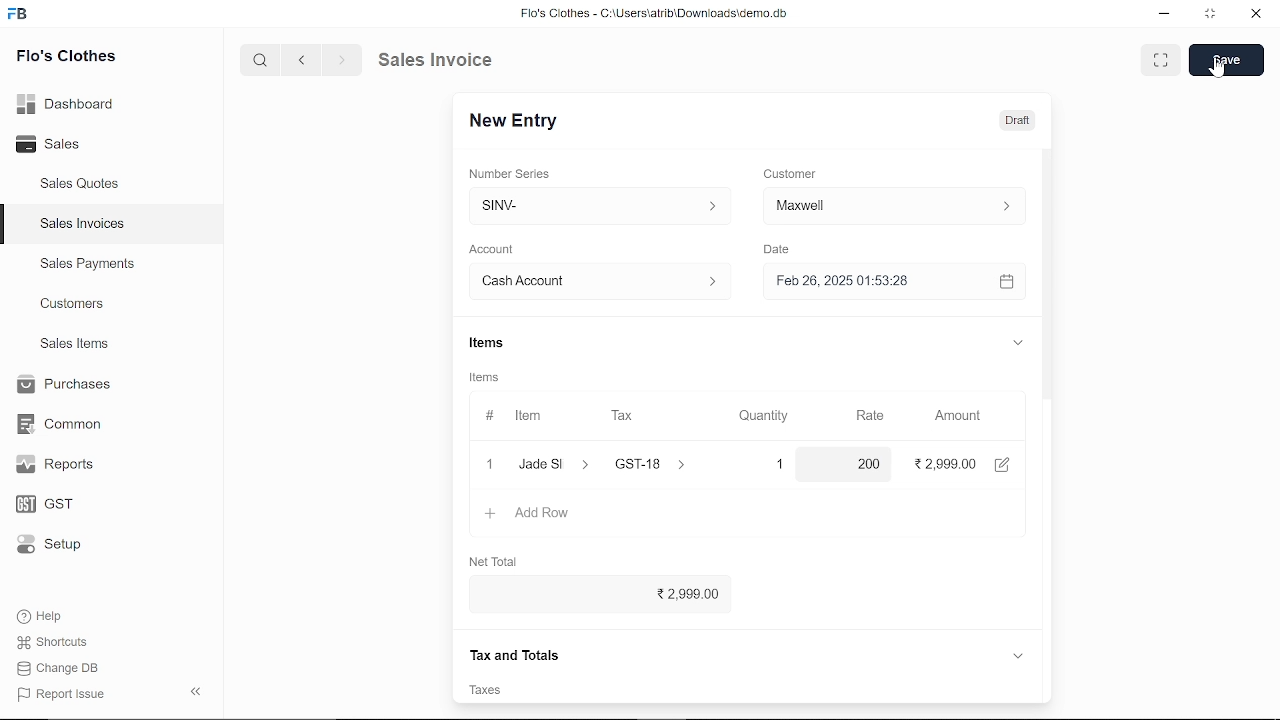 The width and height of the screenshot is (1280, 720). I want to click on Amount, so click(958, 416).